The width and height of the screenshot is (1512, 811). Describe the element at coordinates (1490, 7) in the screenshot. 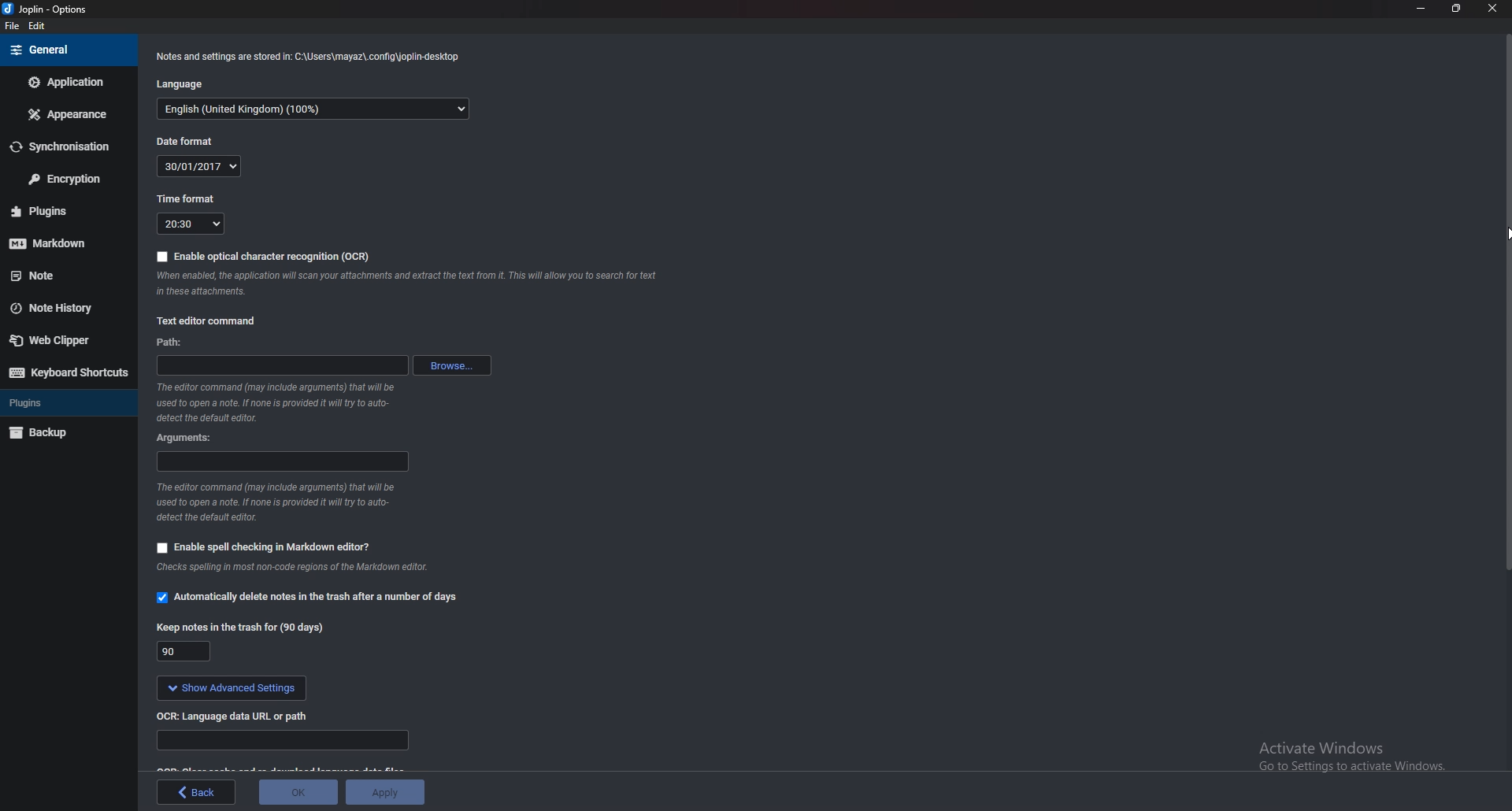

I see `close` at that location.